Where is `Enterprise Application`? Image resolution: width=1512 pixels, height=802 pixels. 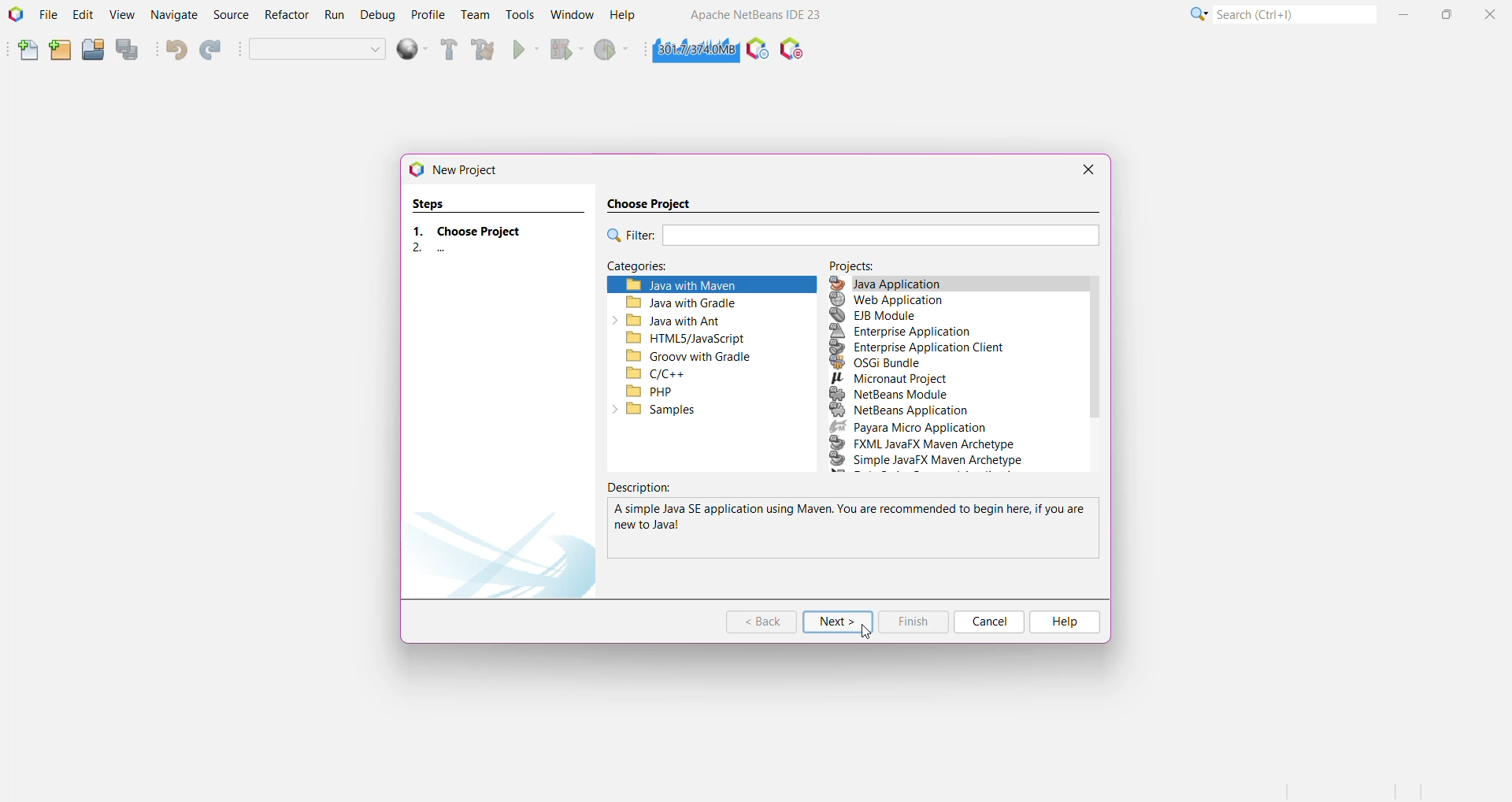
Enterprise Application is located at coordinates (928, 350).